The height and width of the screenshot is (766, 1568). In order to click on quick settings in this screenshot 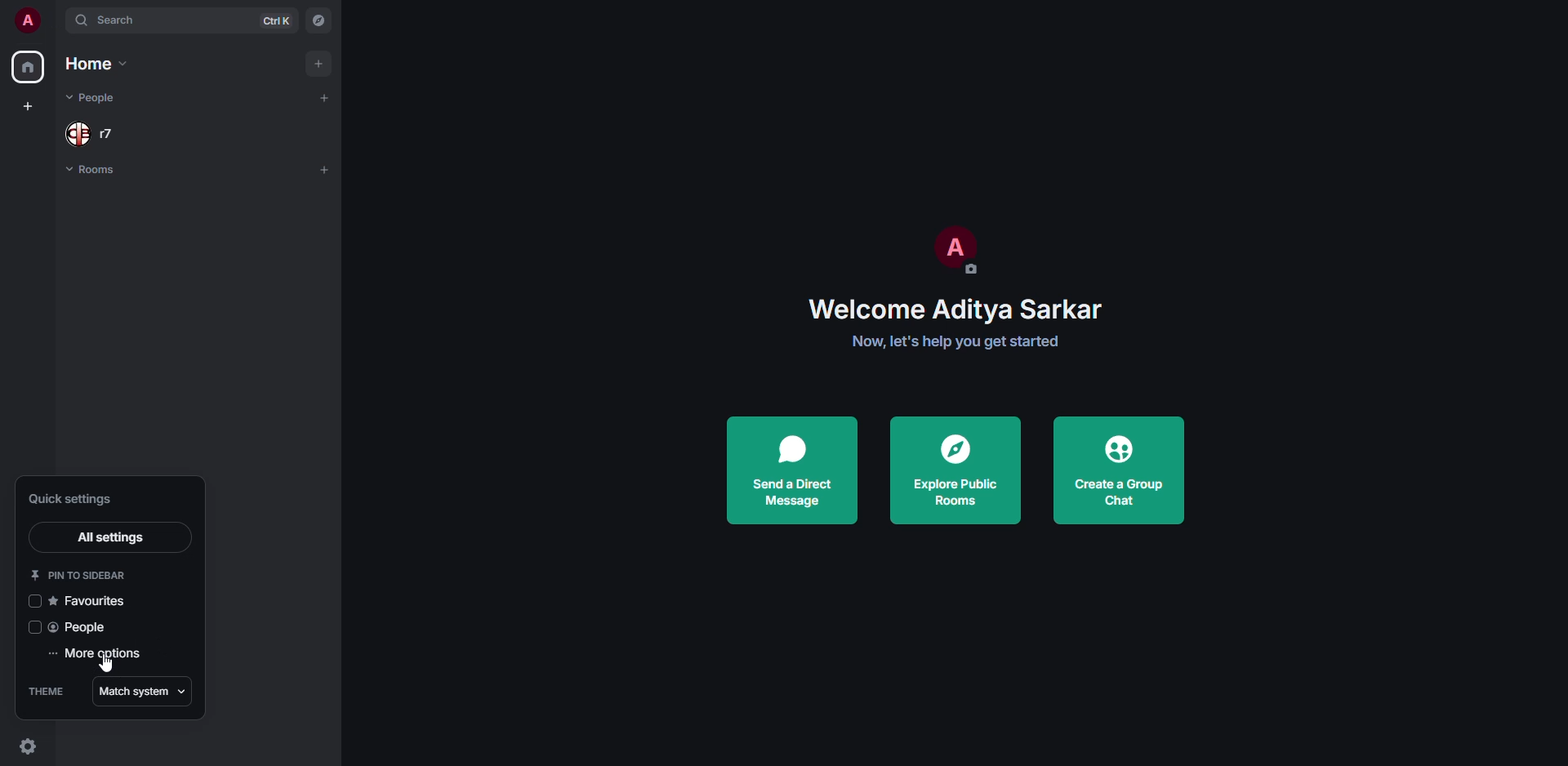, I will do `click(28, 745)`.